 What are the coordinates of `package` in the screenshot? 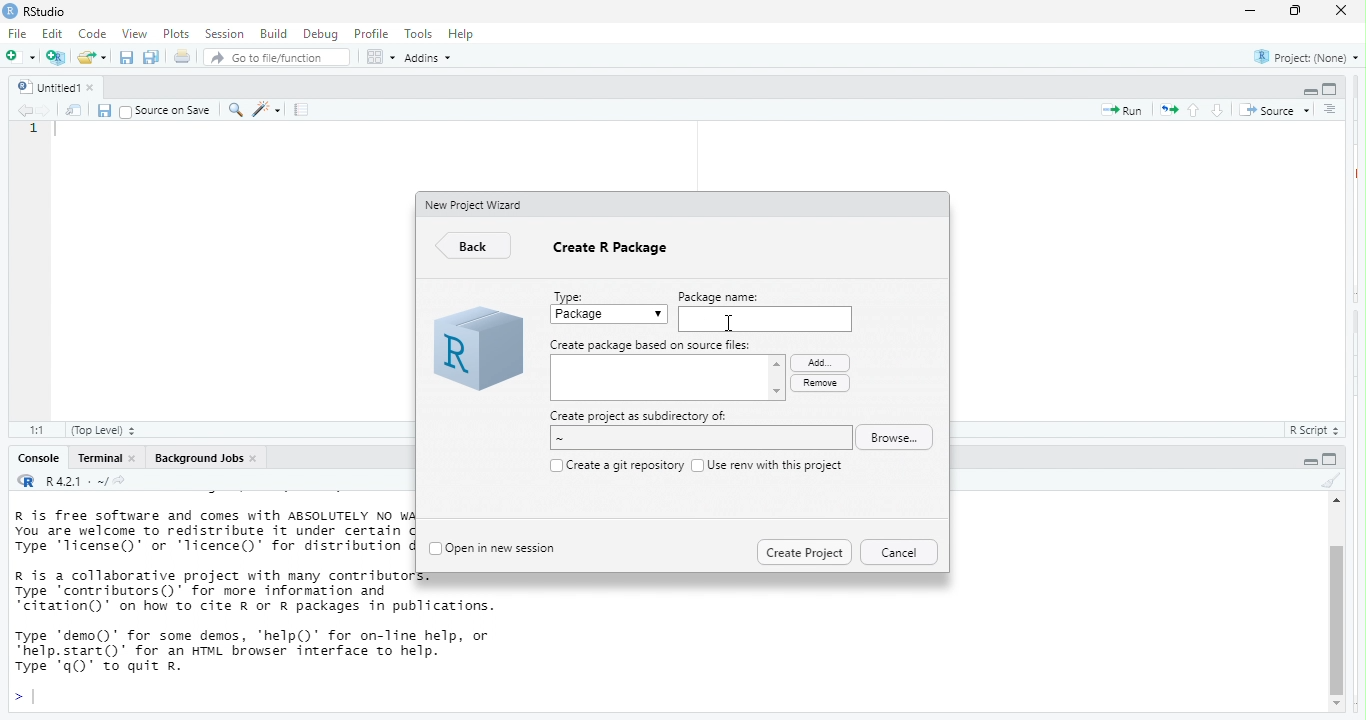 It's located at (610, 316).